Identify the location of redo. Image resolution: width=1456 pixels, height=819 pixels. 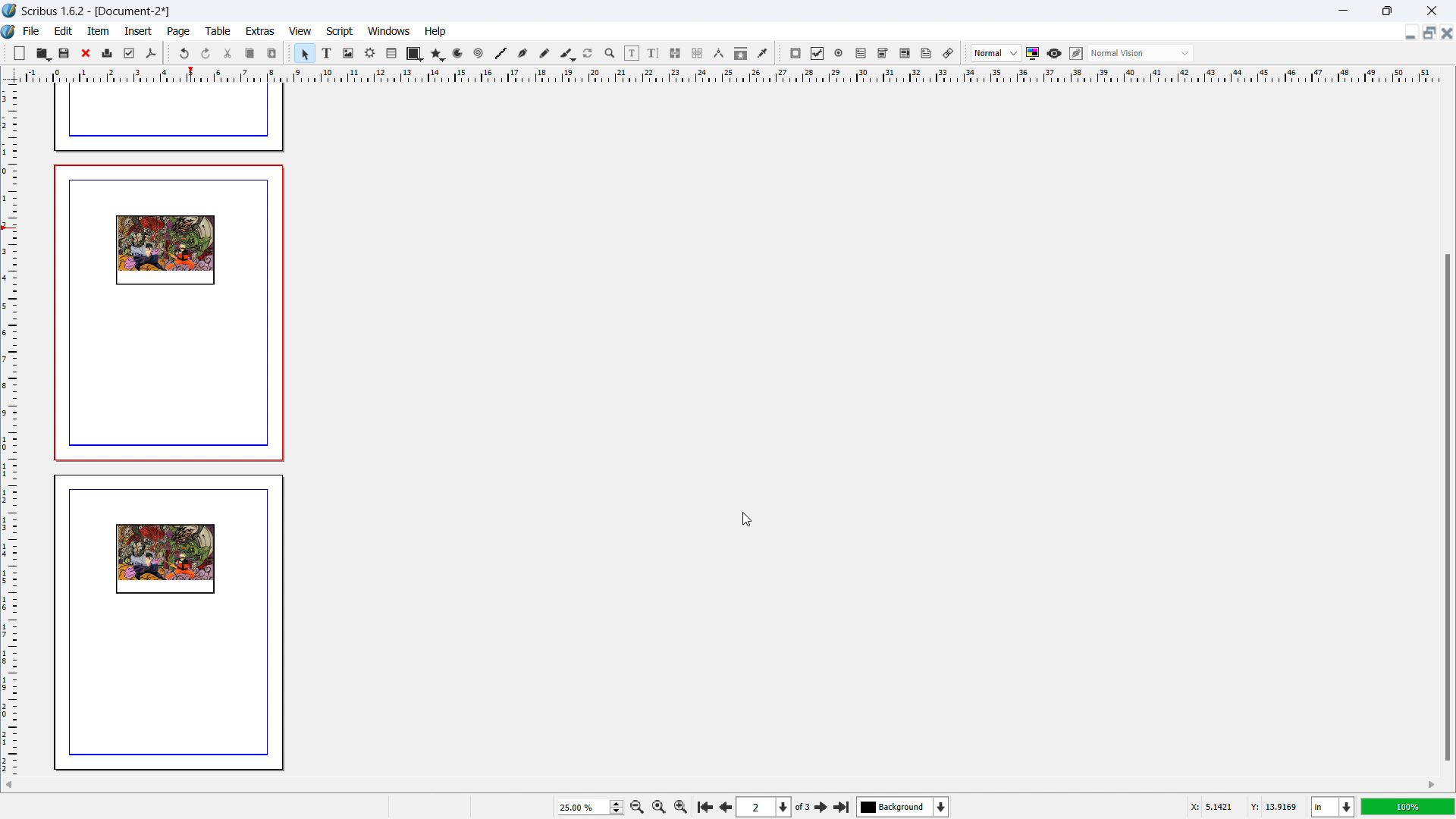
(206, 54).